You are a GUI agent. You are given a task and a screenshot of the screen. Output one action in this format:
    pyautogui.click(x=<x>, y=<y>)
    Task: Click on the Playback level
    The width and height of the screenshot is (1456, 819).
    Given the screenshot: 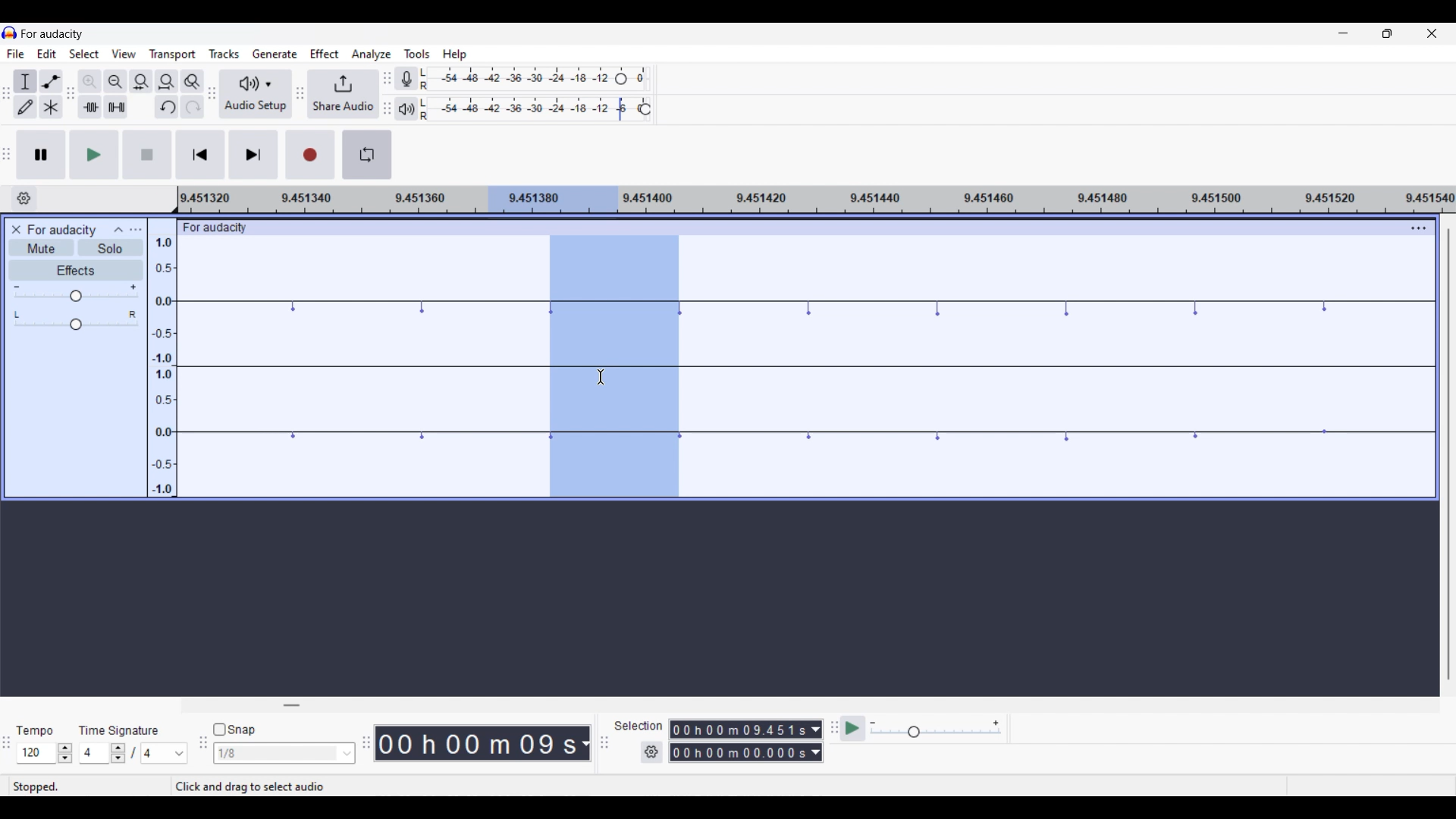 What is the action you would take?
    pyautogui.click(x=537, y=109)
    